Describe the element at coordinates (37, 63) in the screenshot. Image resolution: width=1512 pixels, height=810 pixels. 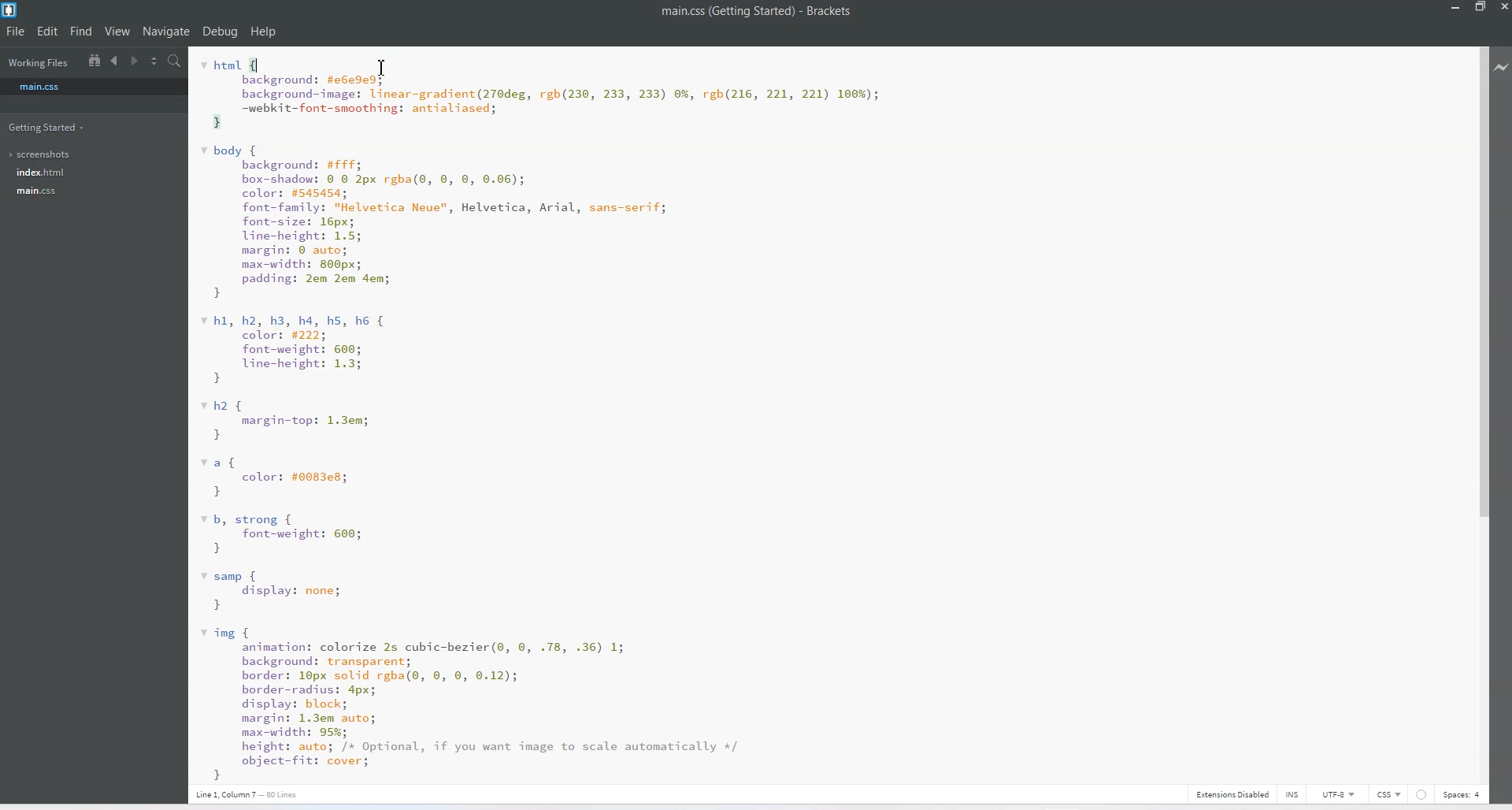
I see `Working Files` at that location.